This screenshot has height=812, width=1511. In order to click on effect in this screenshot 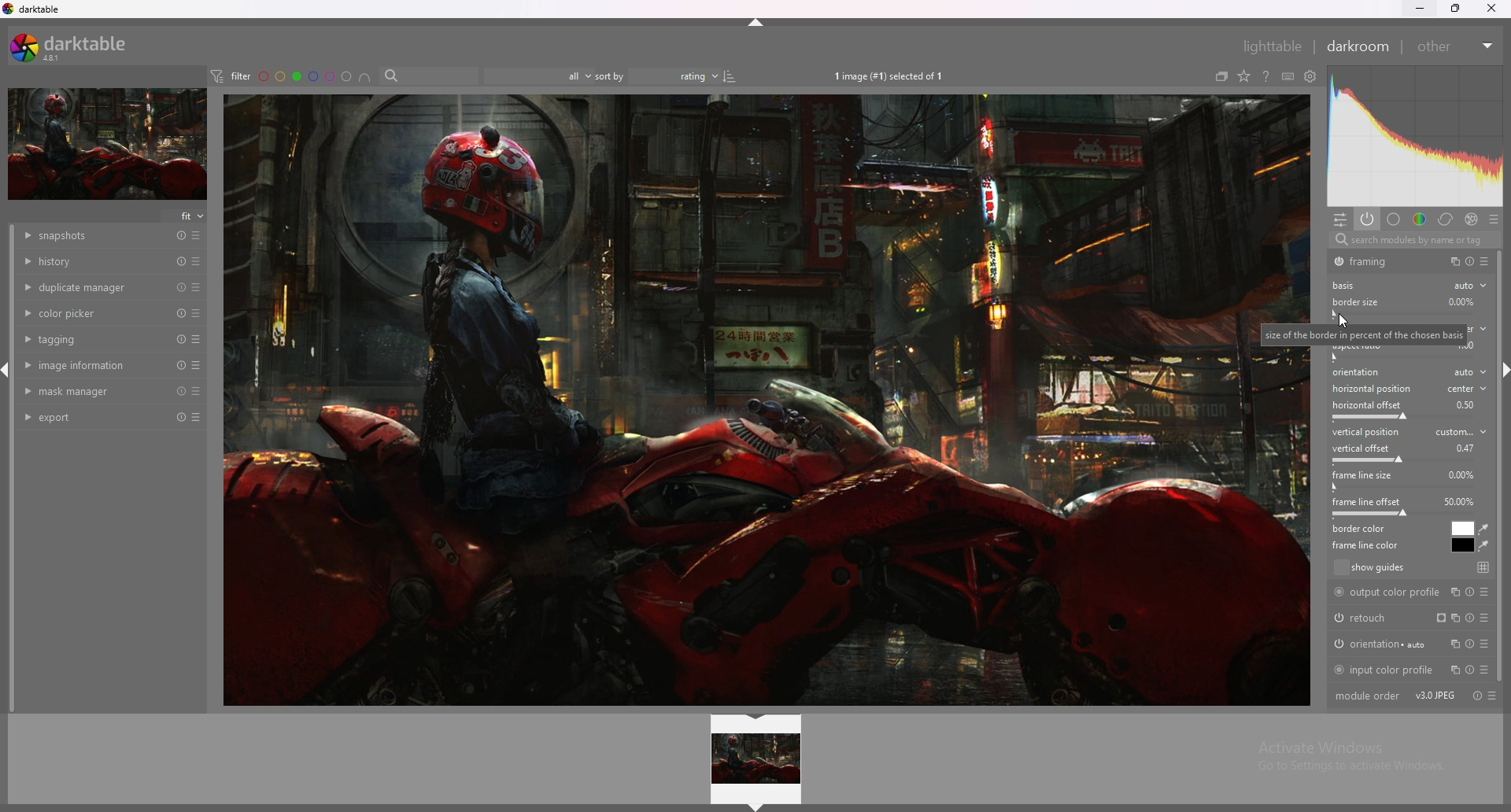, I will do `click(1469, 218)`.